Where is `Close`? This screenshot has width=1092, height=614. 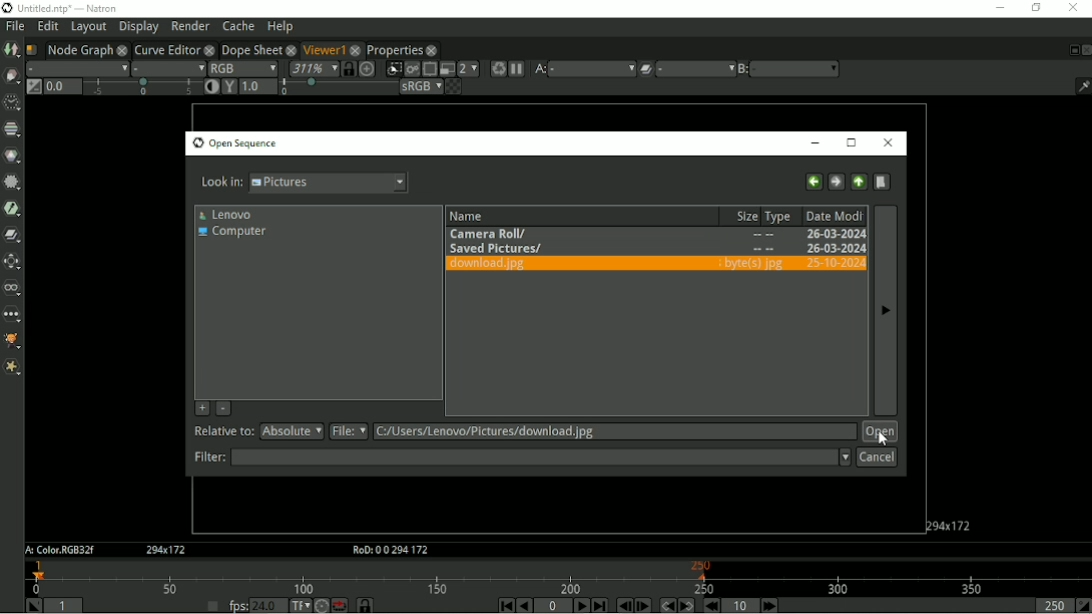 Close is located at coordinates (1085, 50).